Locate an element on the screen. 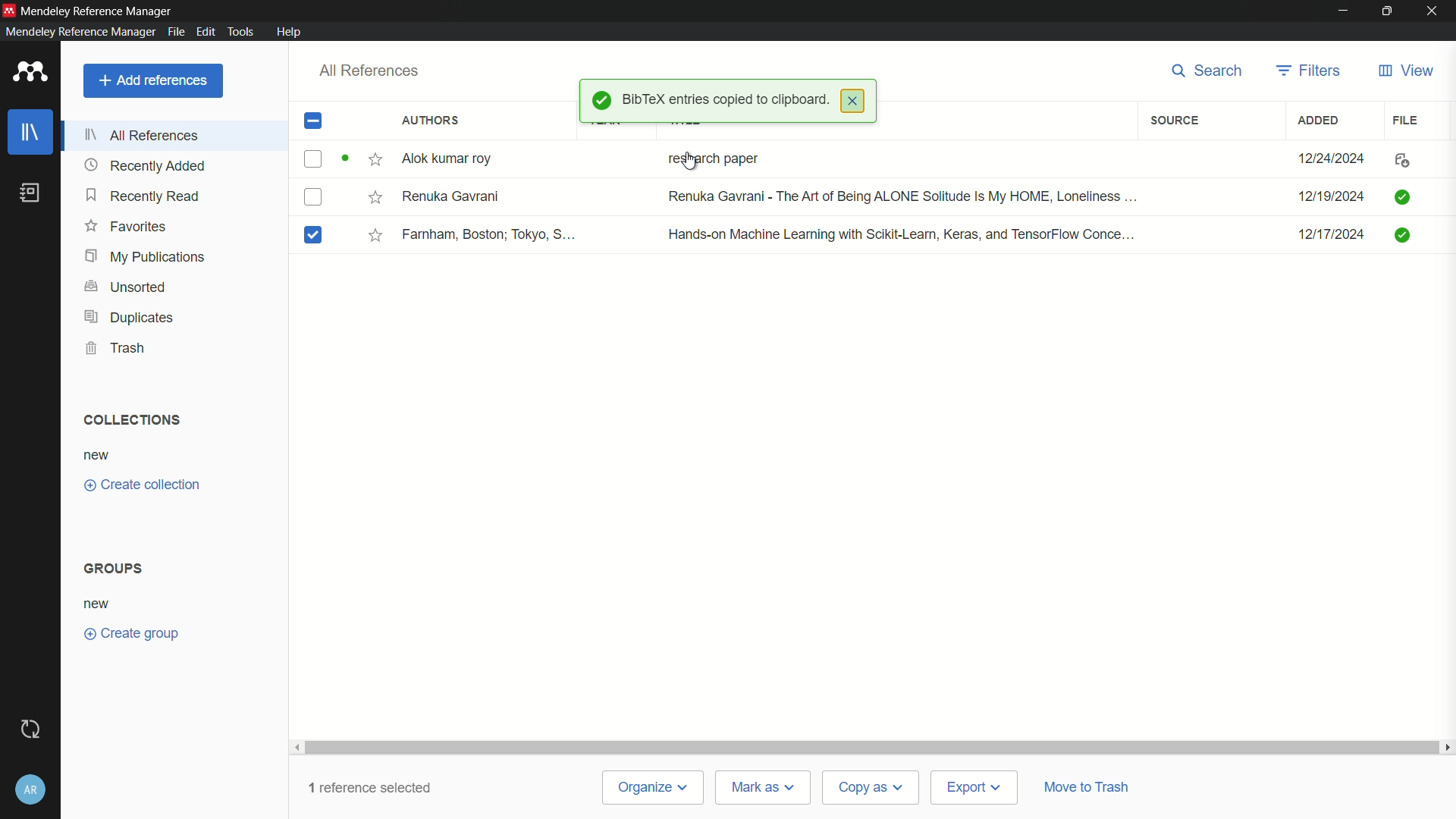  close app is located at coordinates (1433, 10).